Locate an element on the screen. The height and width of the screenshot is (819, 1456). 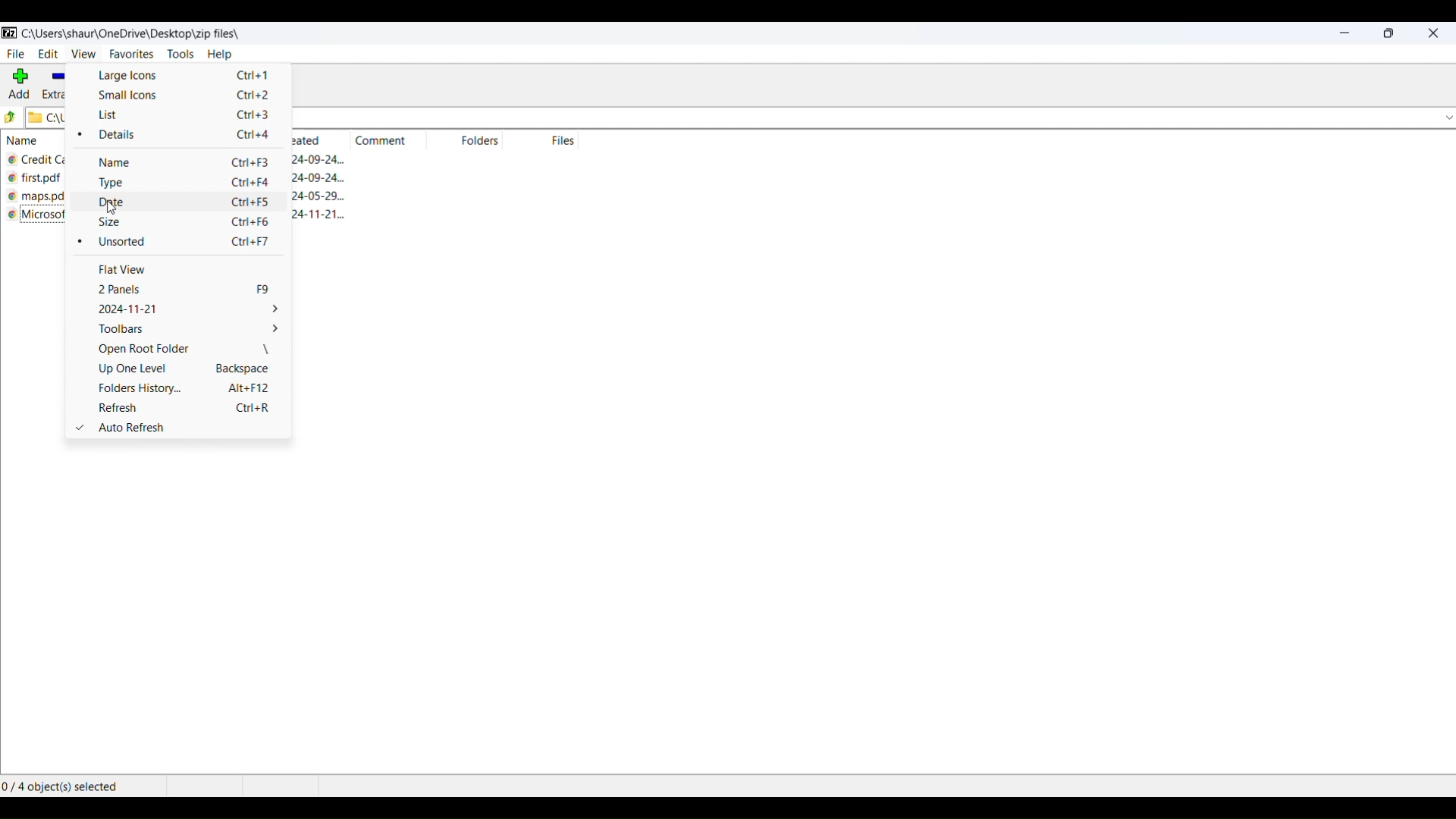
size is located at coordinates (180, 224).